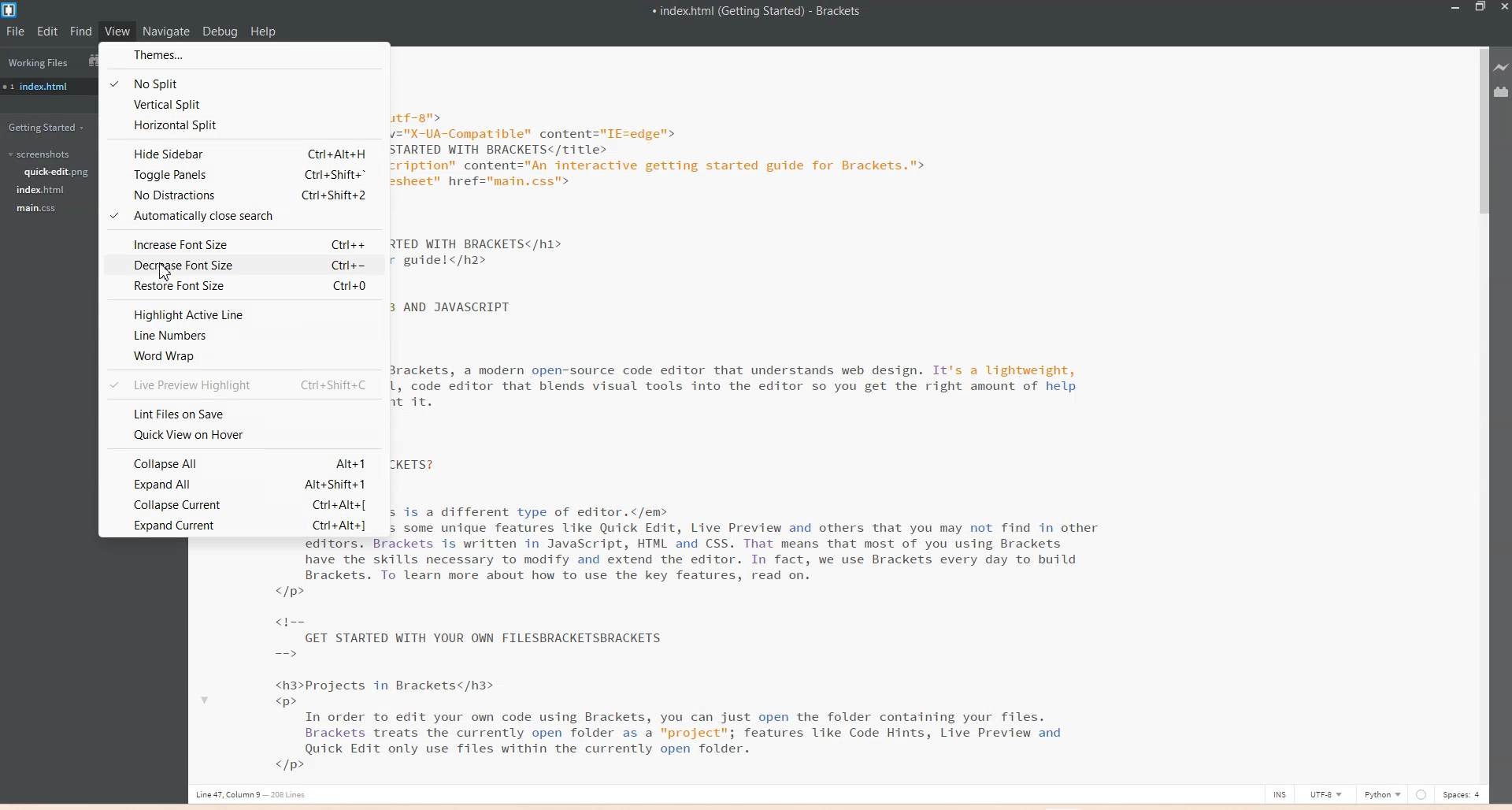 The width and height of the screenshot is (1512, 810). Describe the element at coordinates (245, 125) in the screenshot. I see `Horizontal Split` at that location.